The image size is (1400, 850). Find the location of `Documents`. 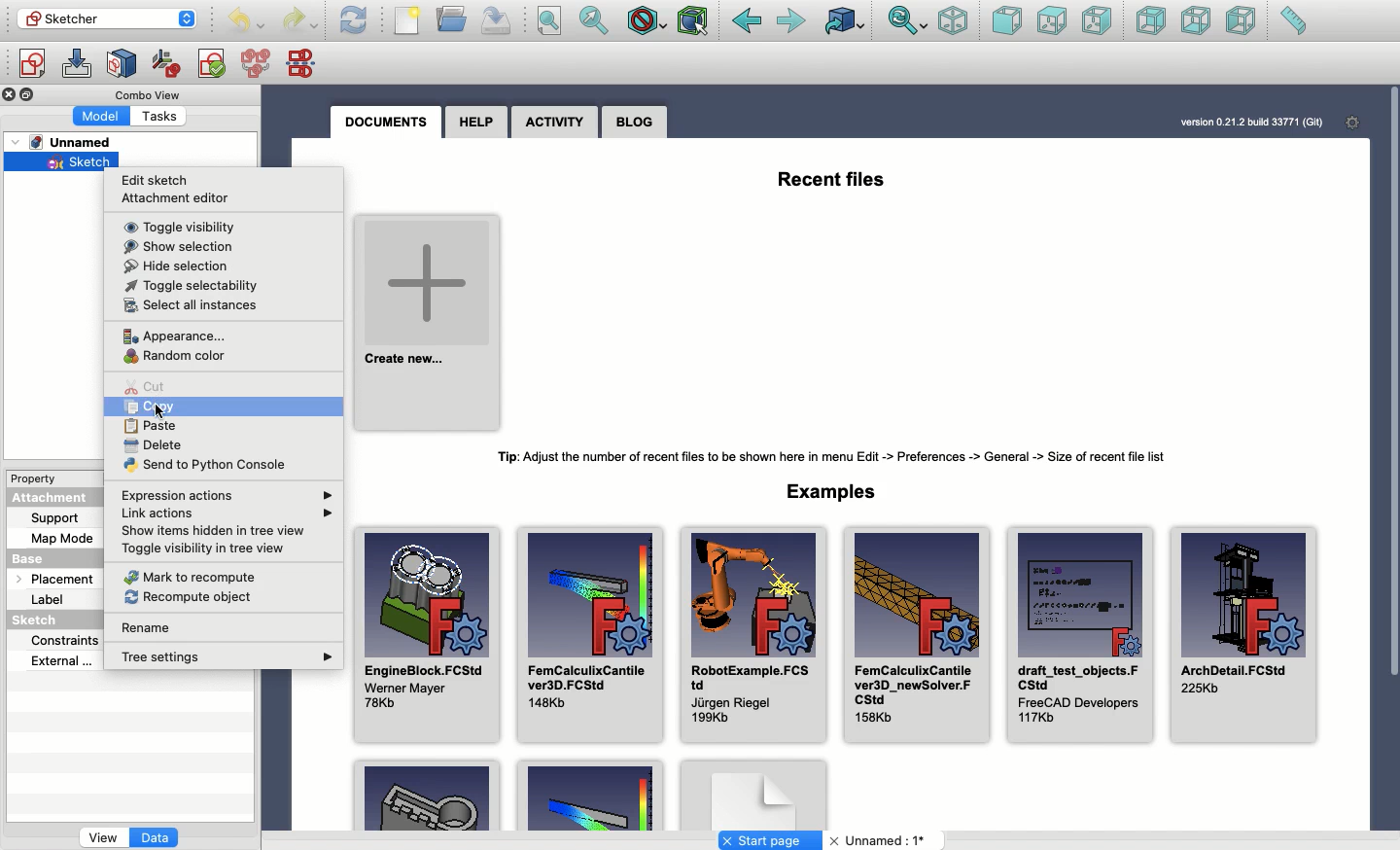

Documents is located at coordinates (392, 123).